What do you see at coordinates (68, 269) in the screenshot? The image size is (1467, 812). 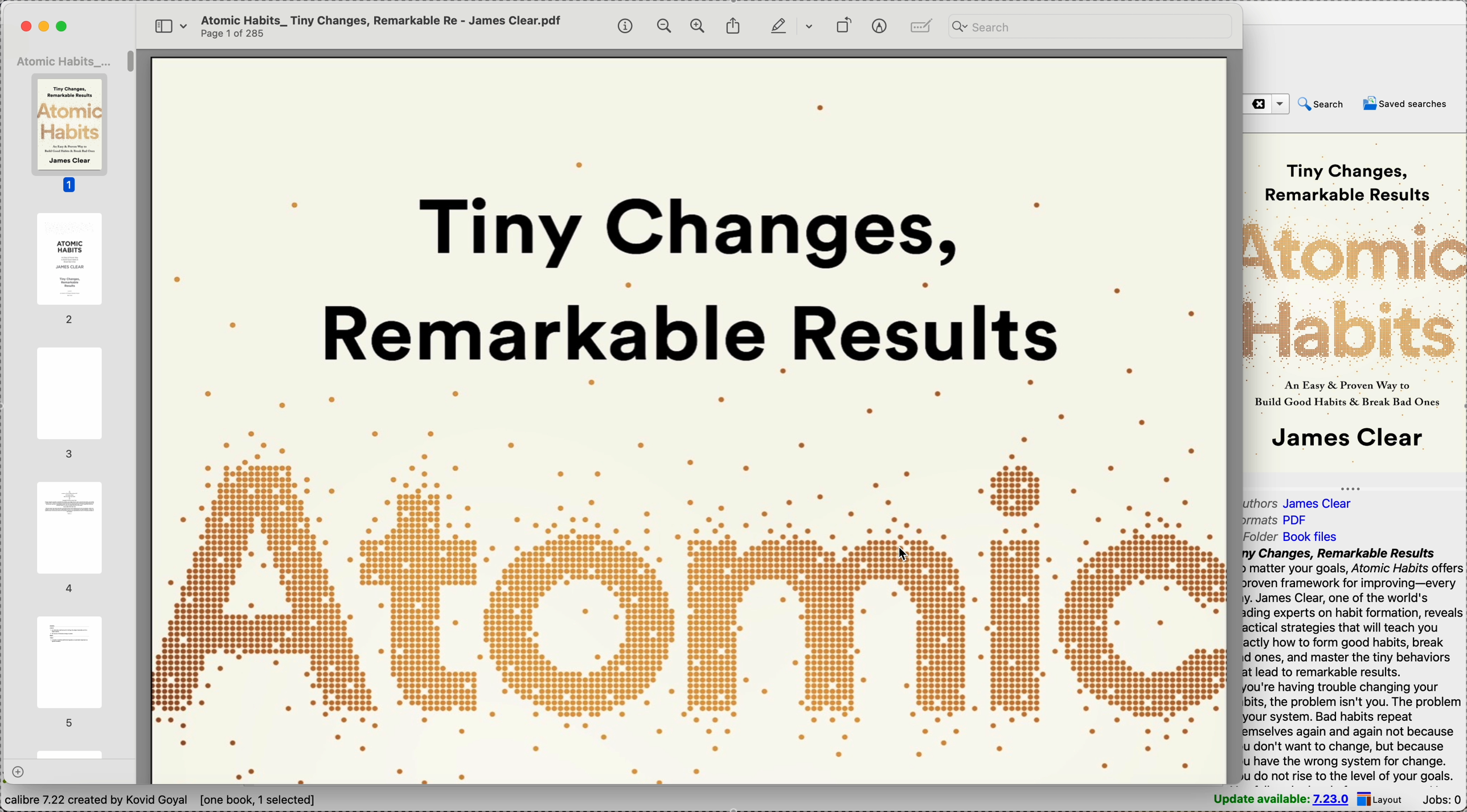 I see `second page` at bounding box center [68, 269].